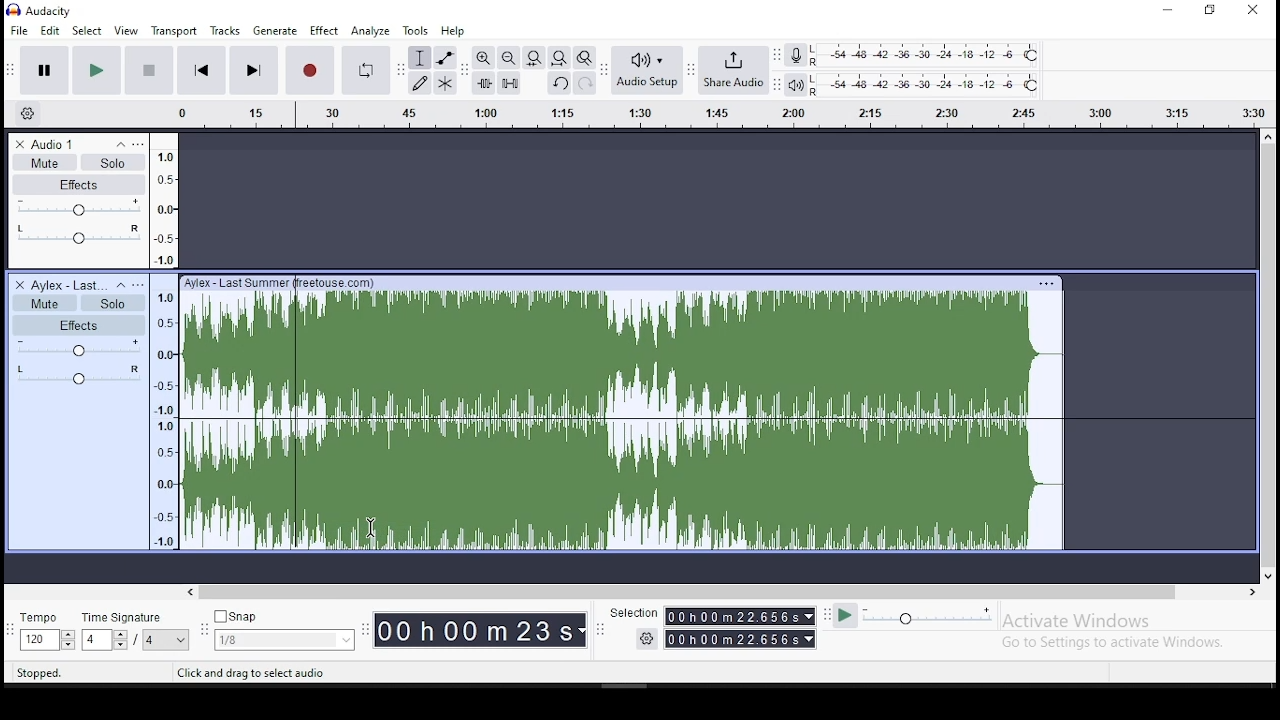 The image size is (1280, 720). Describe the element at coordinates (364, 70) in the screenshot. I see `enable/disable looping` at that location.